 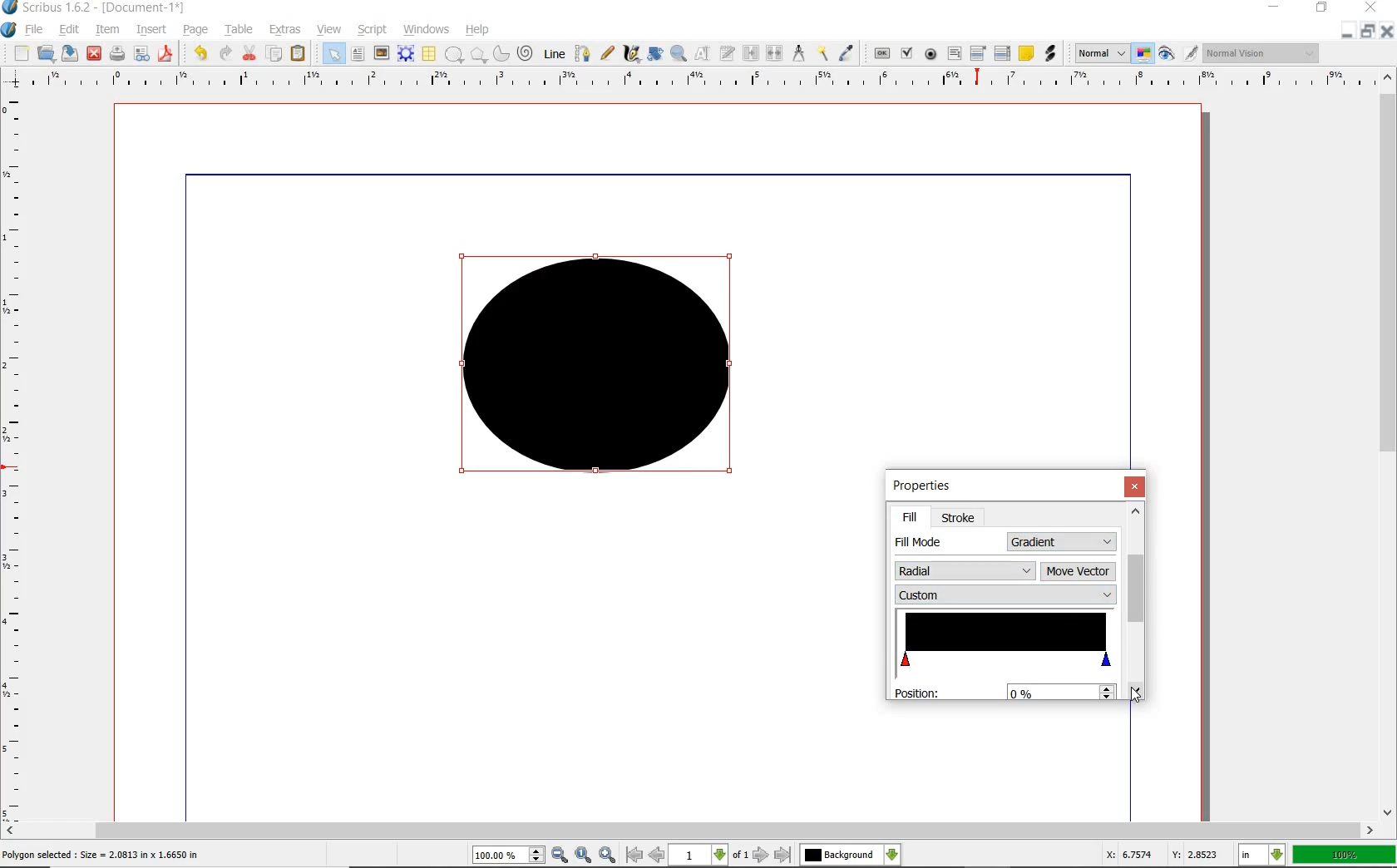 What do you see at coordinates (1144, 53) in the screenshot?
I see `TOGGLE COLOR MANAGEMENT SYSTEM` at bounding box center [1144, 53].